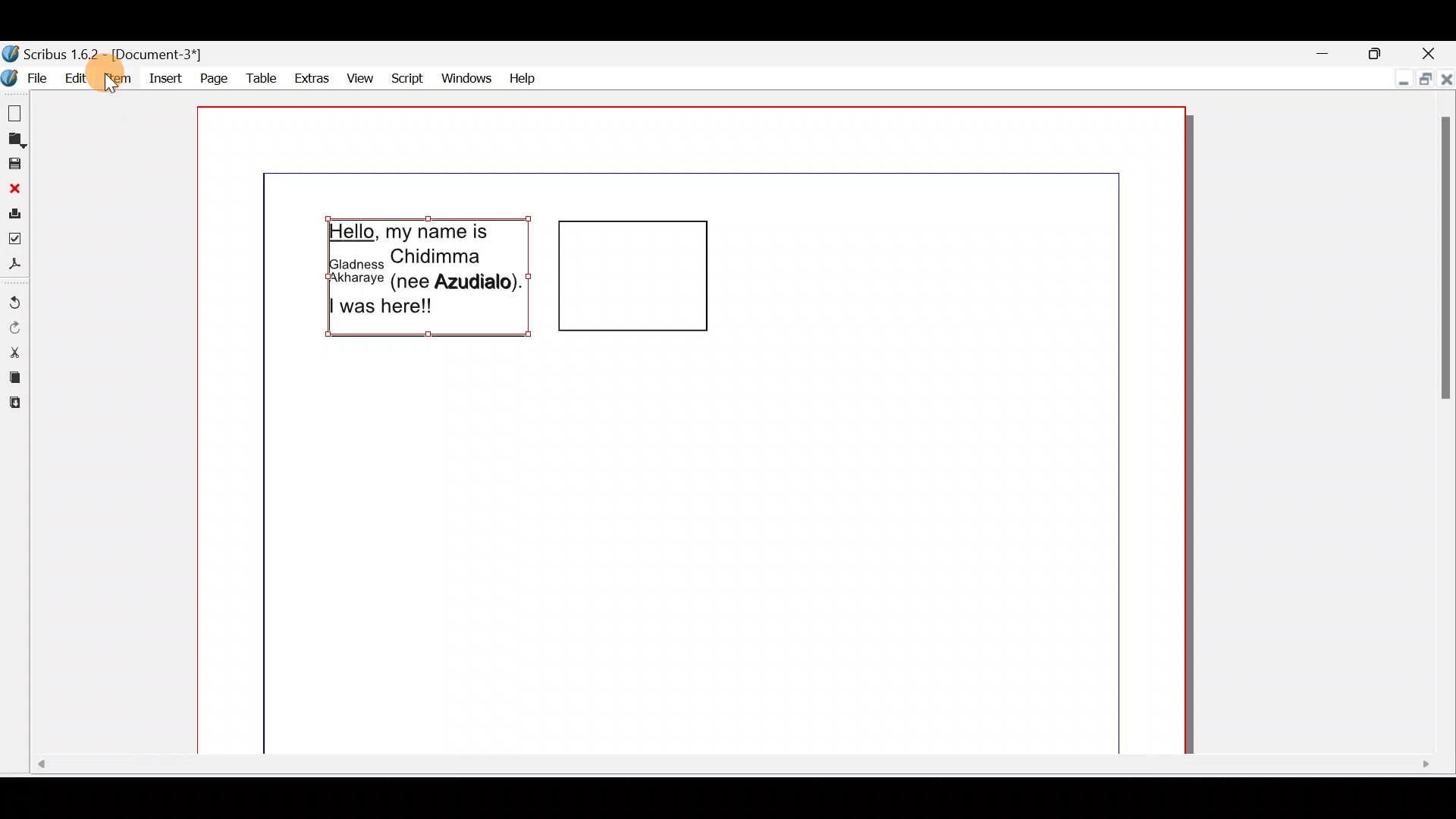 Image resolution: width=1456 pixels, height=819 pixels. Describe the element at coordinates (15, 297) in the screenshot. I see `Undo` at that location.